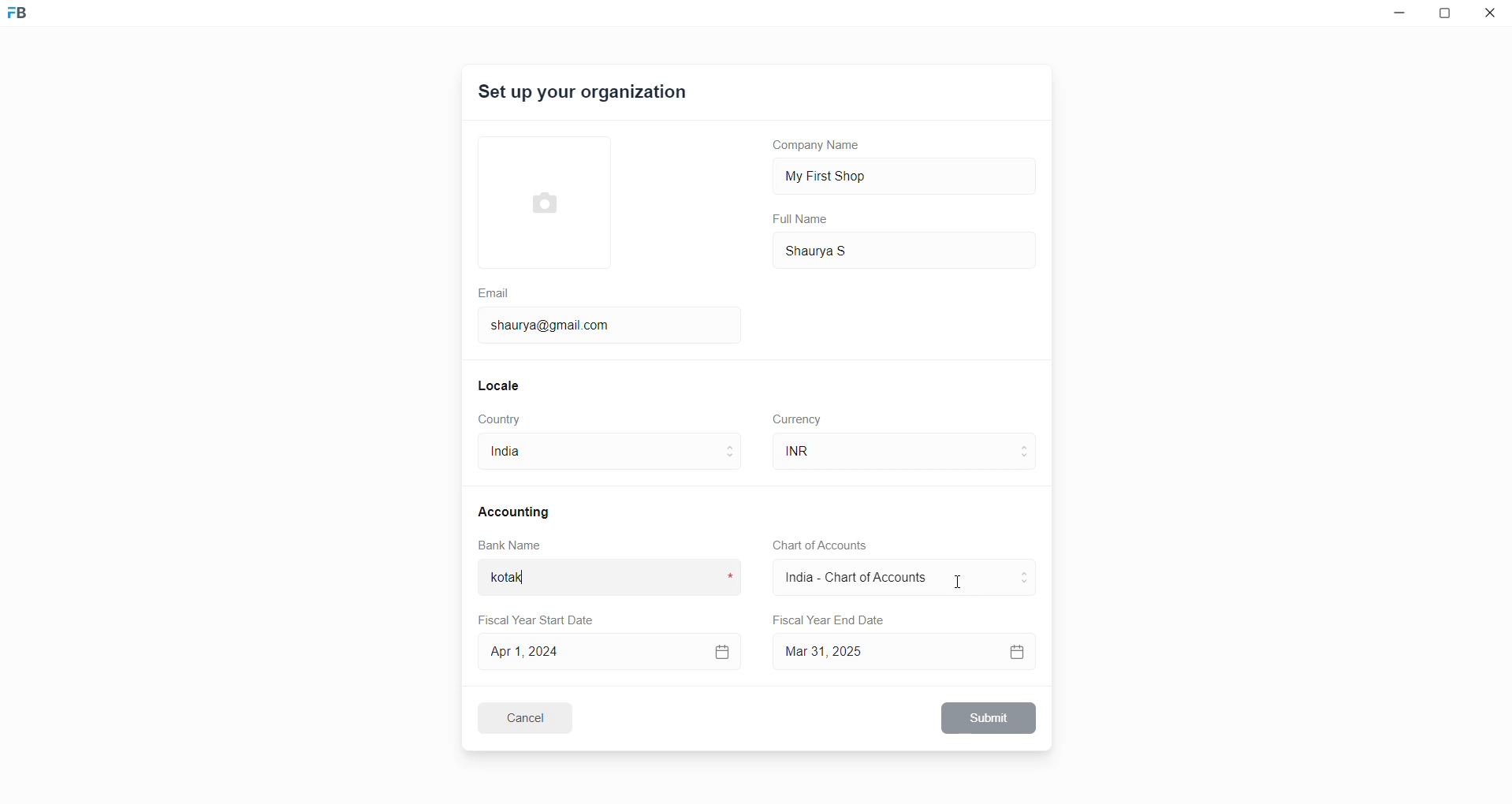 This screenshot has width=1512, height=804. What do you see at coordinates (556, 323) in the screenshot?
I see `shaurya@gmail.com` at bounding box center [556, 323].